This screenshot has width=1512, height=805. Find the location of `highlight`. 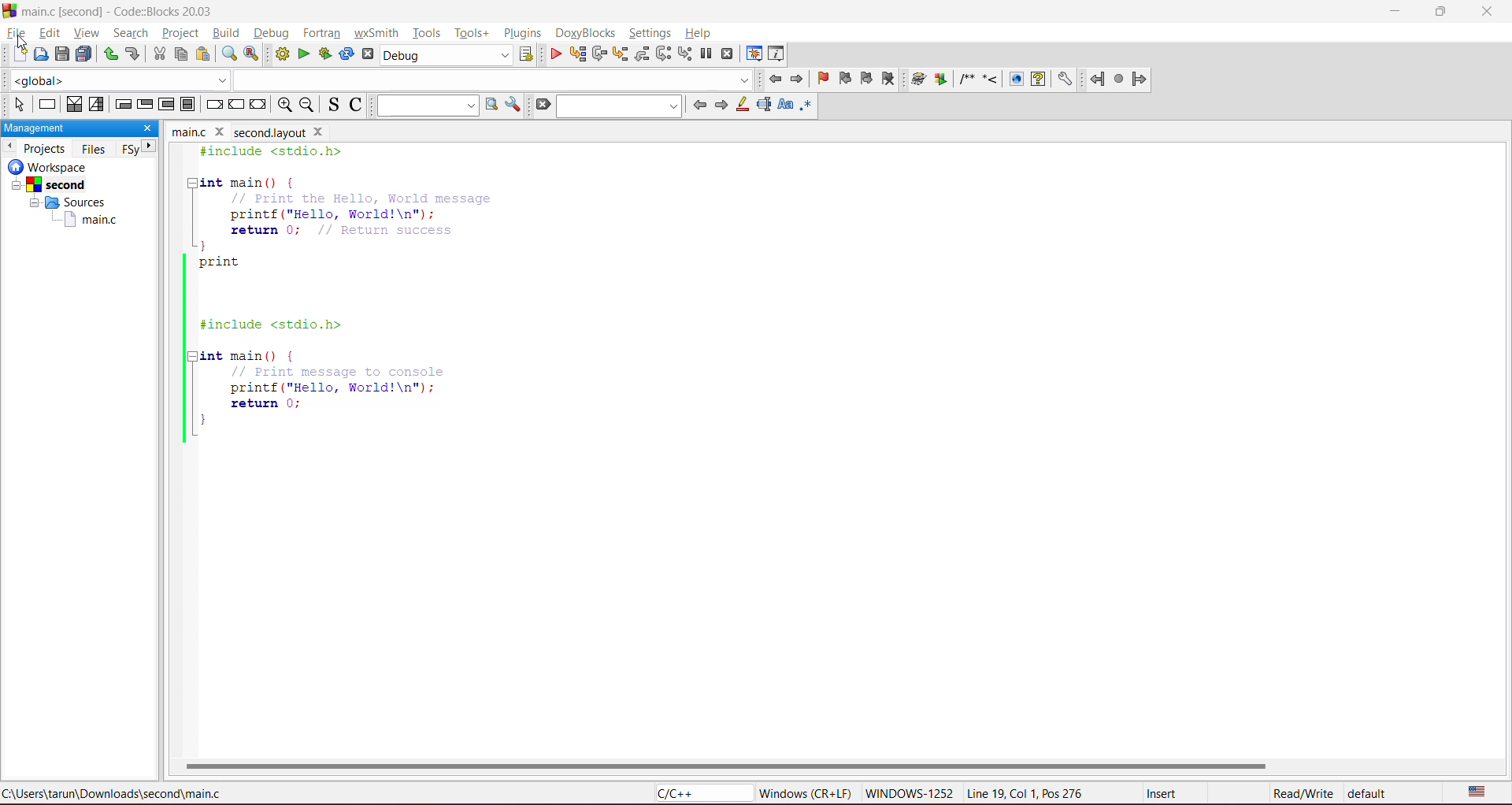

highlight is located at coordinates (740, 106).